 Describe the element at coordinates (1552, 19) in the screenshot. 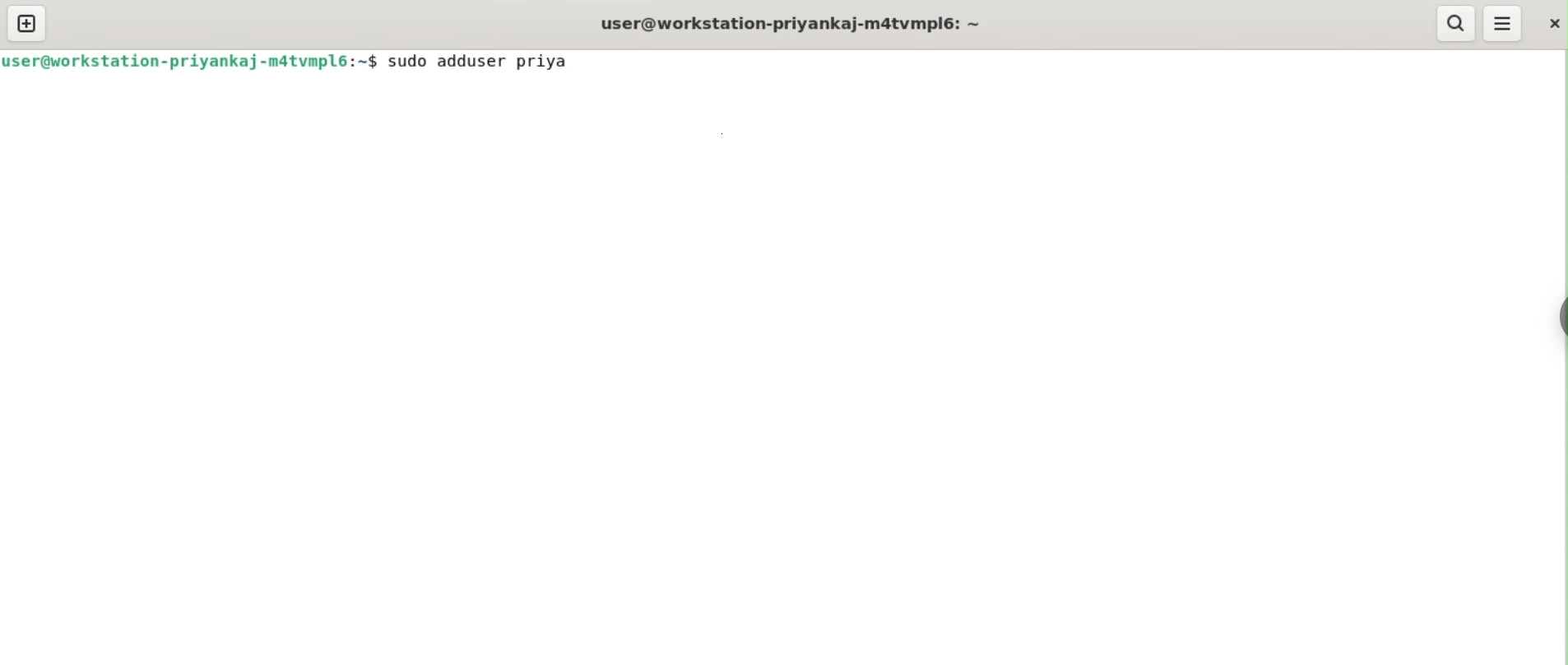

I see `close` at that location.